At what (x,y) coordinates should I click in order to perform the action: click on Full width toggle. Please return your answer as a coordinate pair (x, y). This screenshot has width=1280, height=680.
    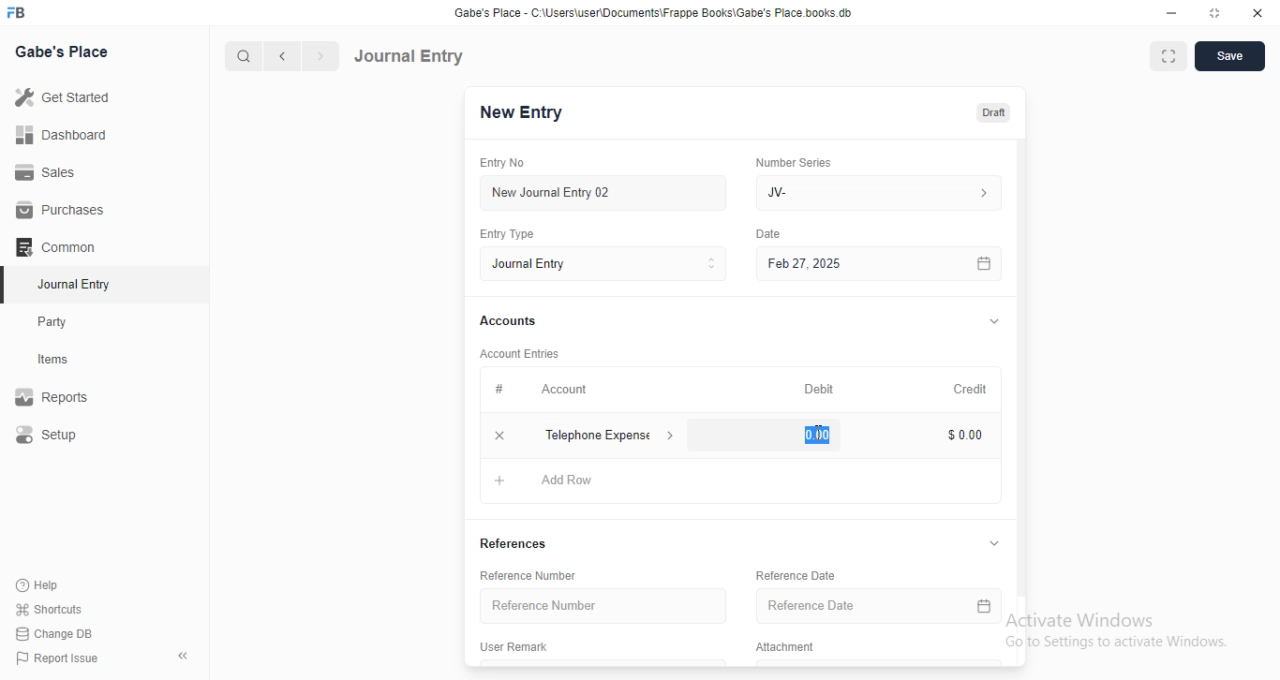
    Looking at the image, I should click on (1171, 56).